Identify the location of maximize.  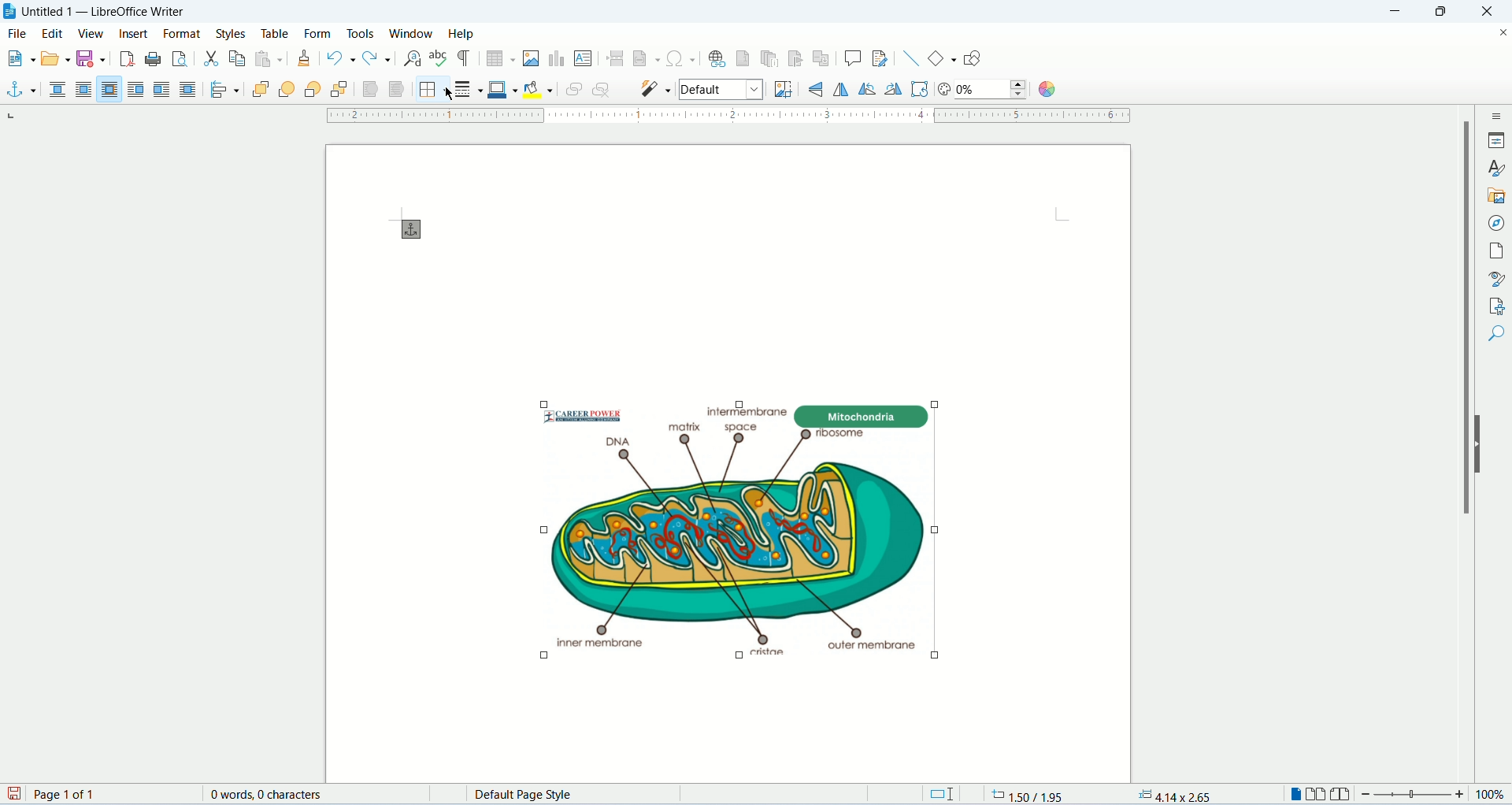
(1444, 12).